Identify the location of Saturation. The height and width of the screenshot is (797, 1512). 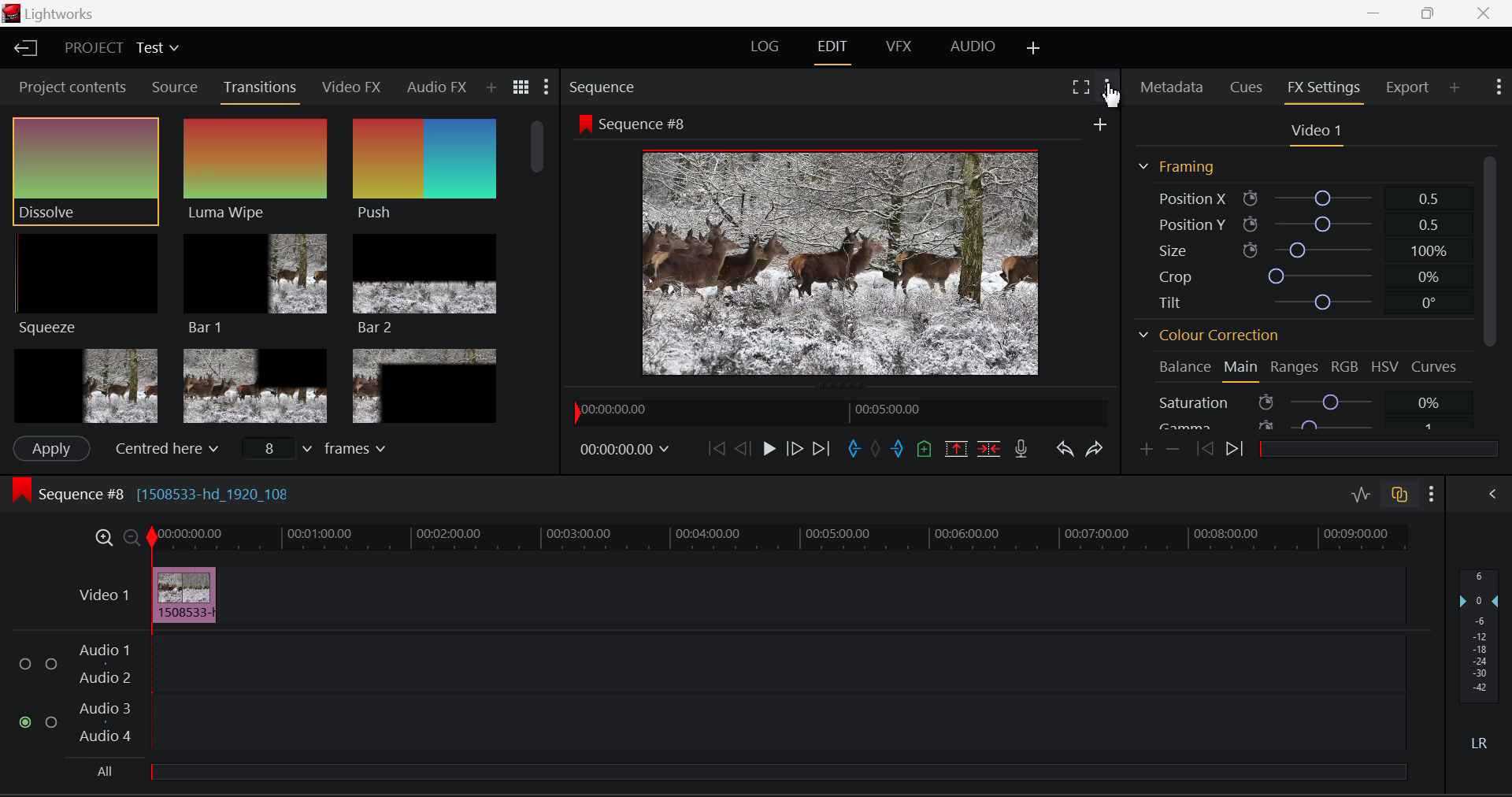
(1303, 402).